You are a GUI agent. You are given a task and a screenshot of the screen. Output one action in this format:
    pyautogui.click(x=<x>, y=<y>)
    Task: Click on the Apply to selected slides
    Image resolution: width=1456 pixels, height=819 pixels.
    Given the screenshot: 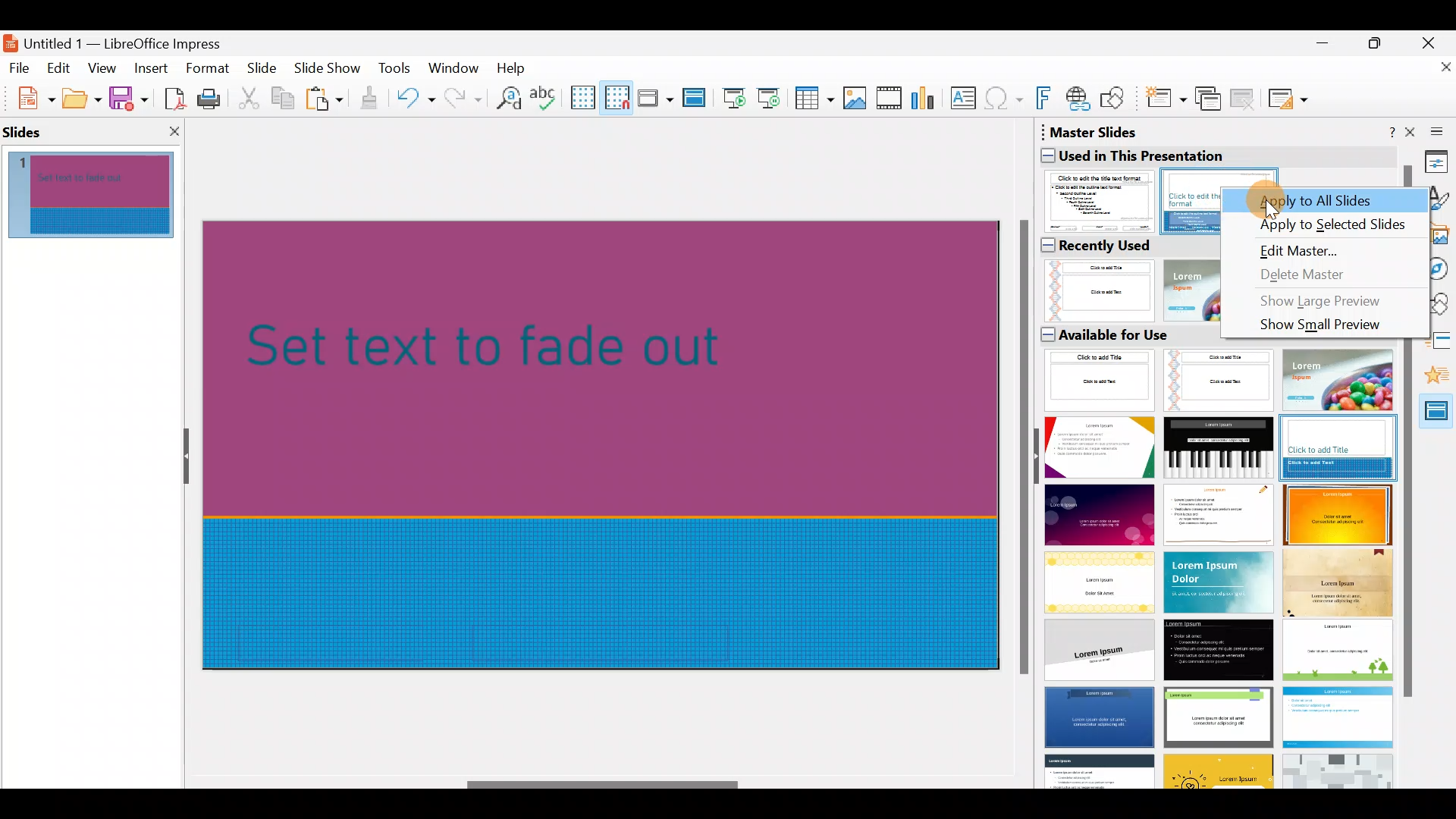 What is the action you would take?
    pyautogui.click(x=1324, y=222)
    